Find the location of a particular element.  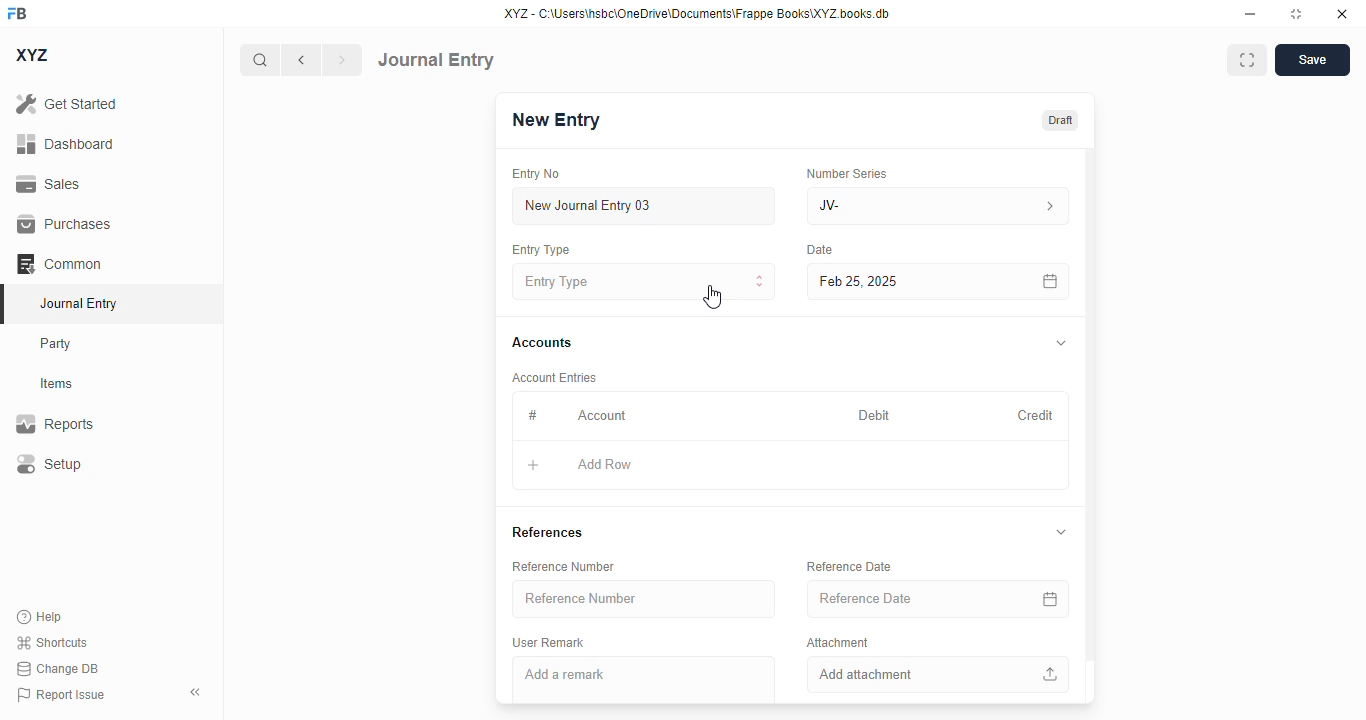

entry type is located at coordinates (643, 281).